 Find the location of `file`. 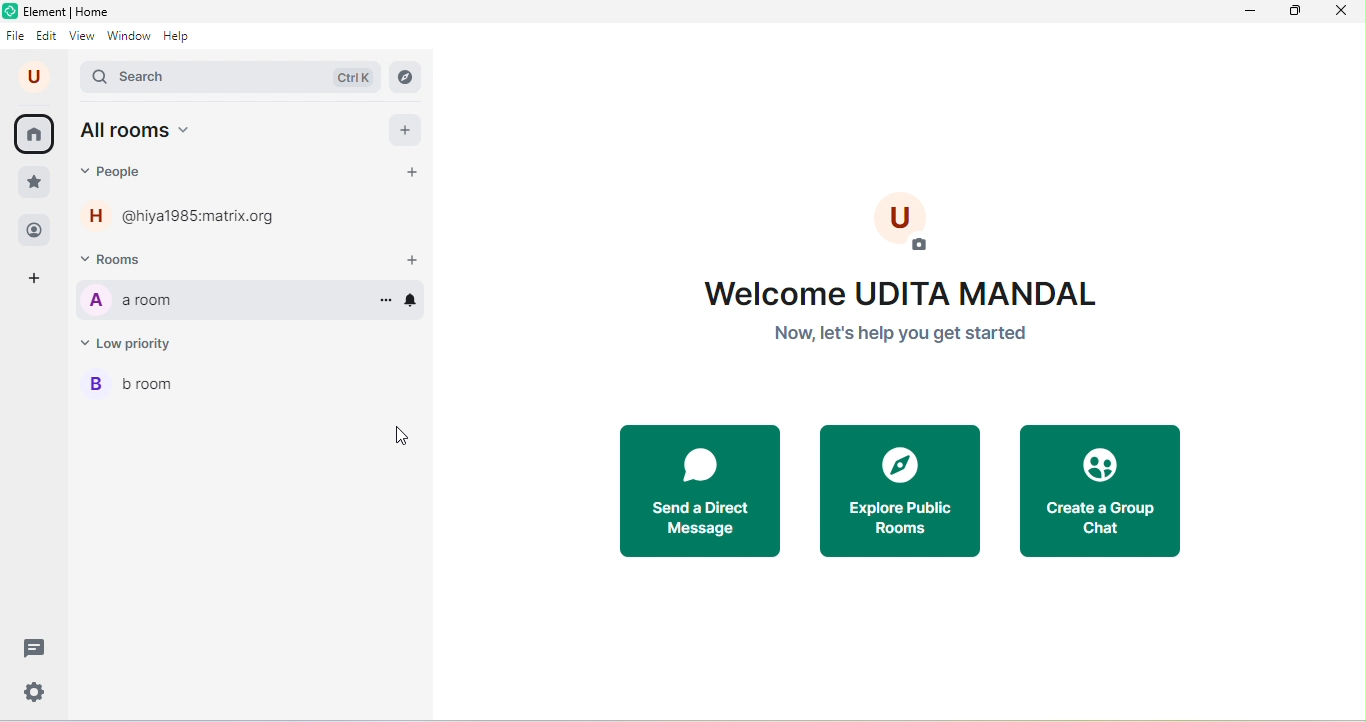

file is located at coordinates (14, 36).